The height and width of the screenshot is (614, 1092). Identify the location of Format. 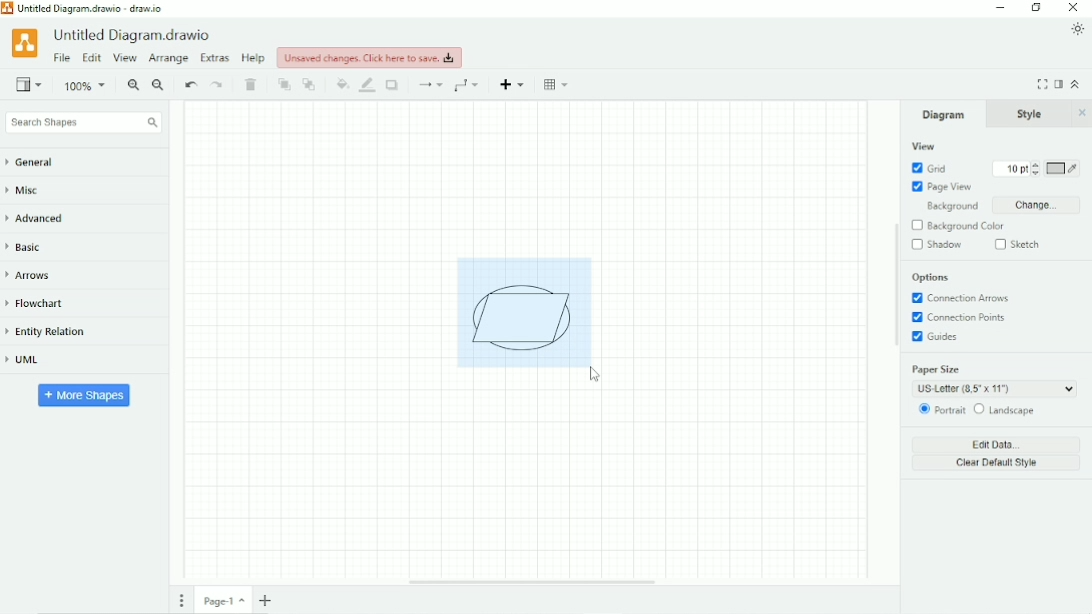
(1059, 84).